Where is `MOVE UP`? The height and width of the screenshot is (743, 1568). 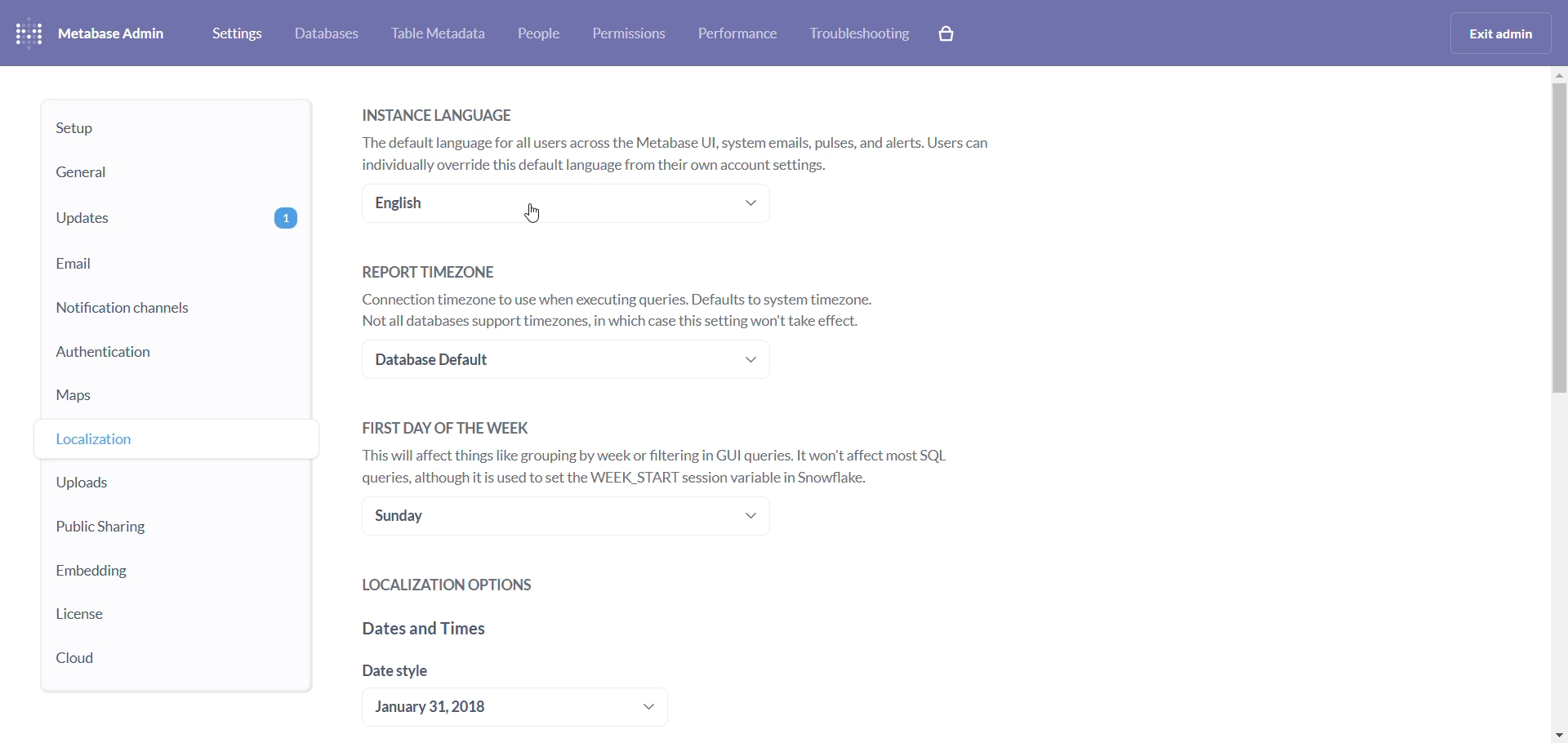
MOVE UP is located at coordinates (1558, 78).